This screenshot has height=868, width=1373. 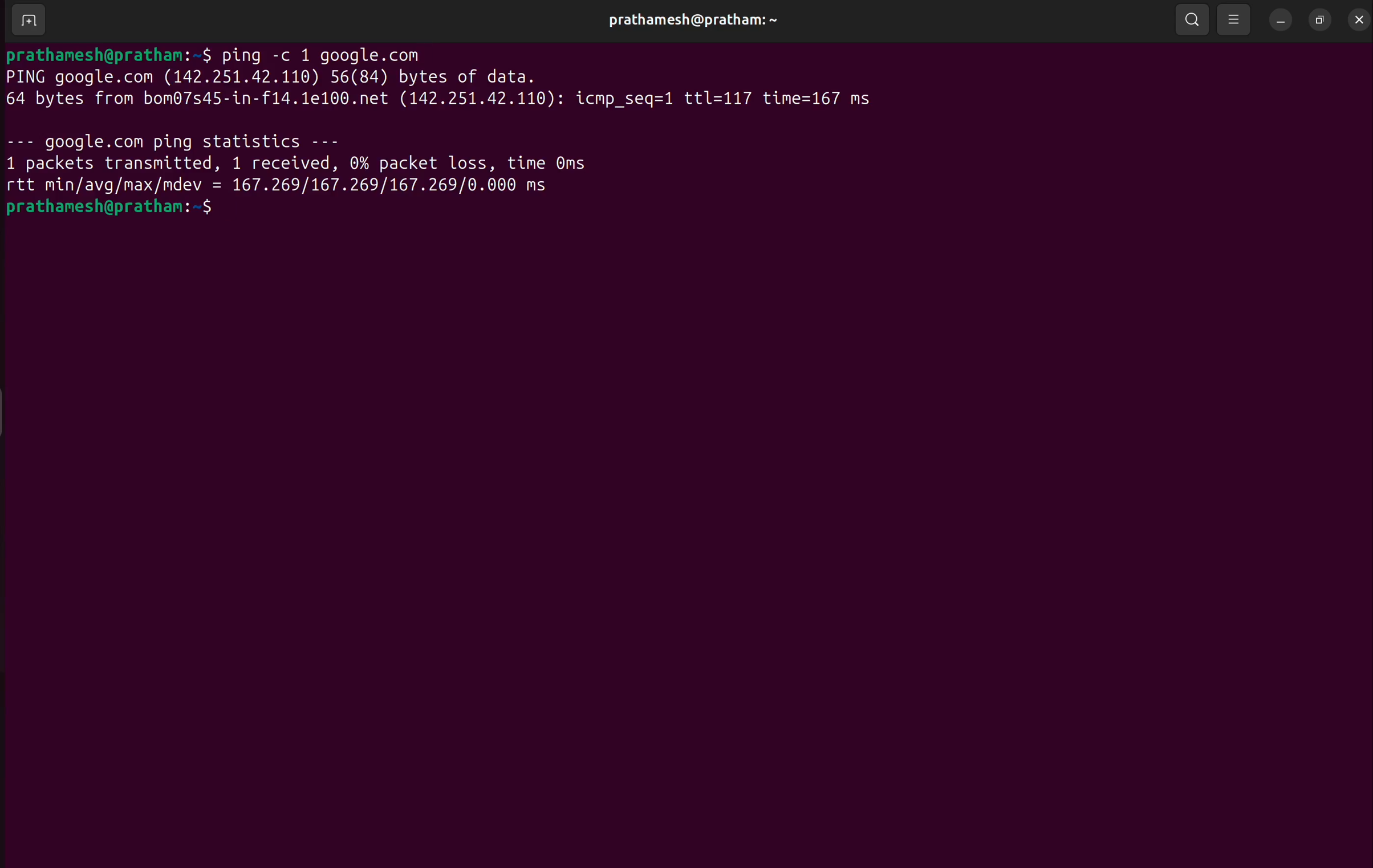 What do you see at coordinates (1320, 18) in the screenshot?
I see `resize` at bounding box center [1320, 18].